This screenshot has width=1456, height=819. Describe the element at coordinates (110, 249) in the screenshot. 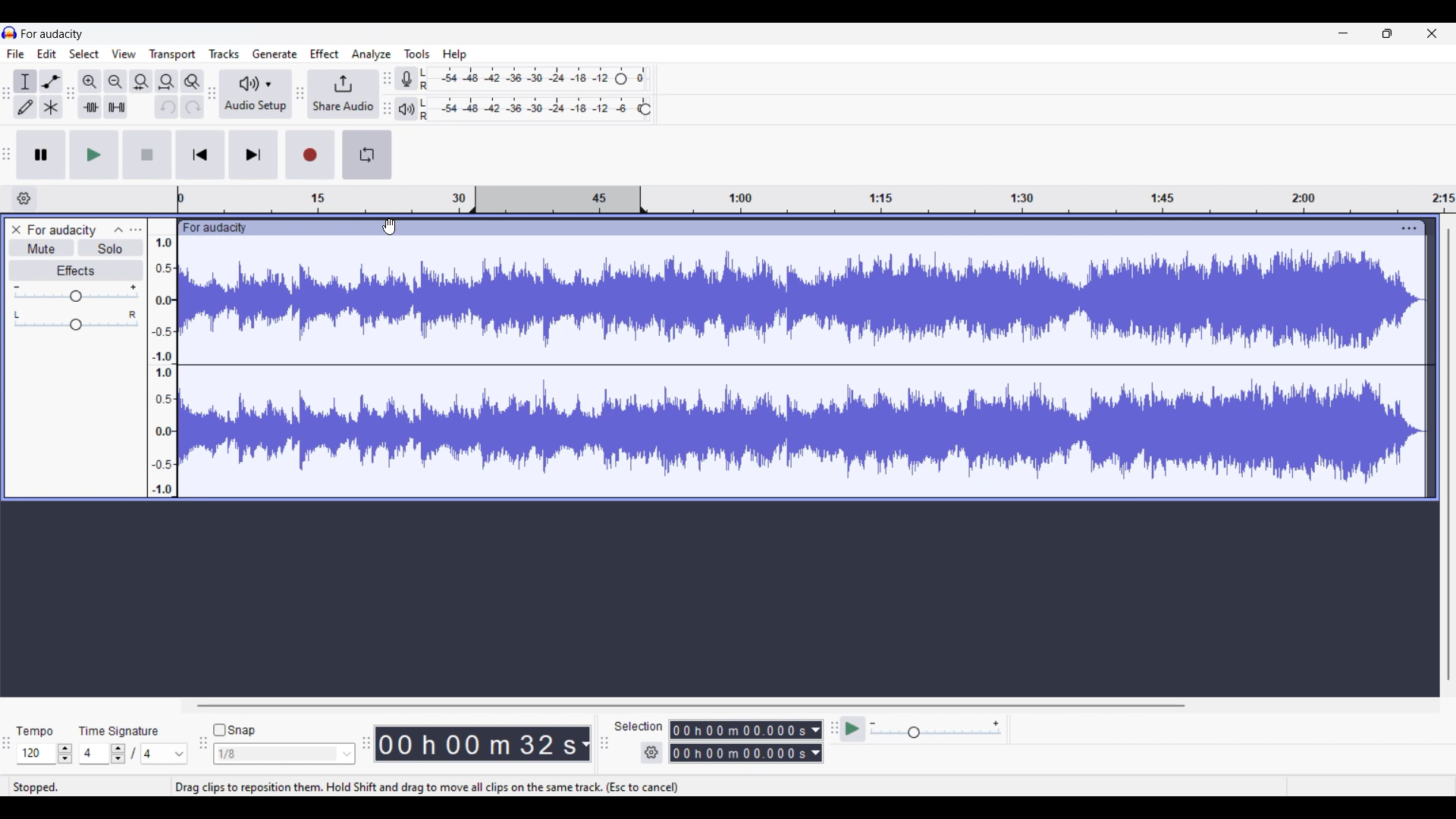

I see `Solo` at that location.